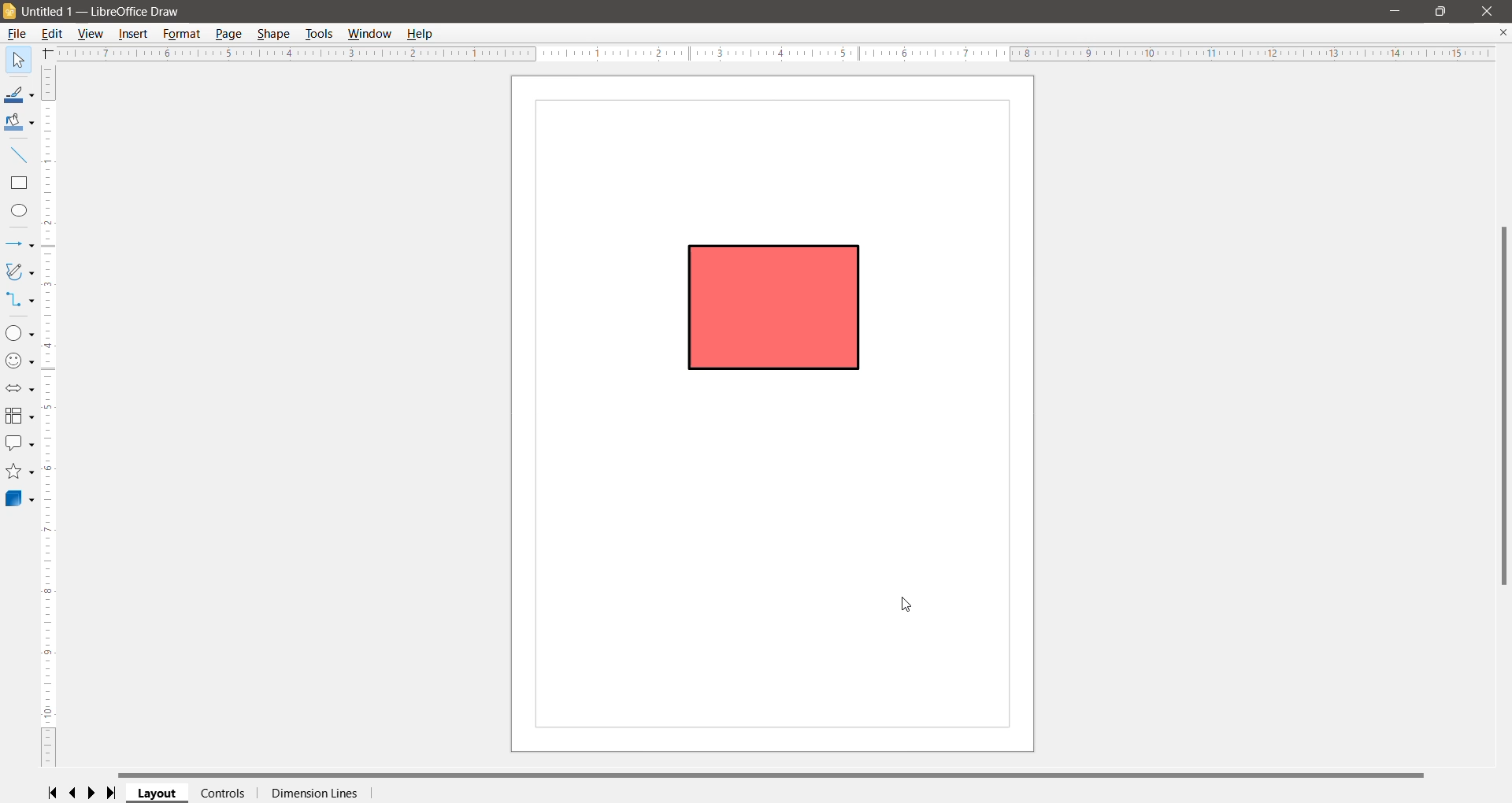 The height and width of the screenshot is (803, 1512). I want to click on 3D Objects, so click(20, 498).